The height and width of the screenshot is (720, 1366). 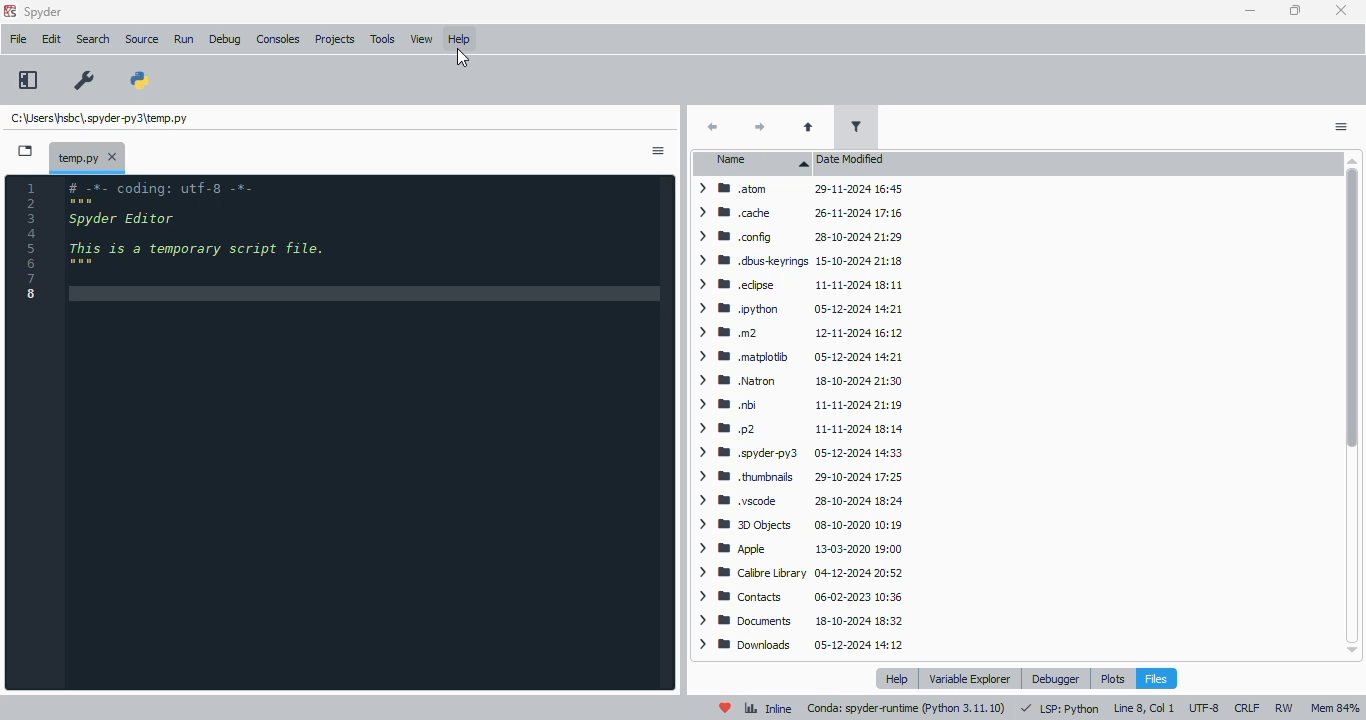 What do you see at coordinates (1342, 11) in the screenshot?
I see `close` at bounding box center [1342, 11].